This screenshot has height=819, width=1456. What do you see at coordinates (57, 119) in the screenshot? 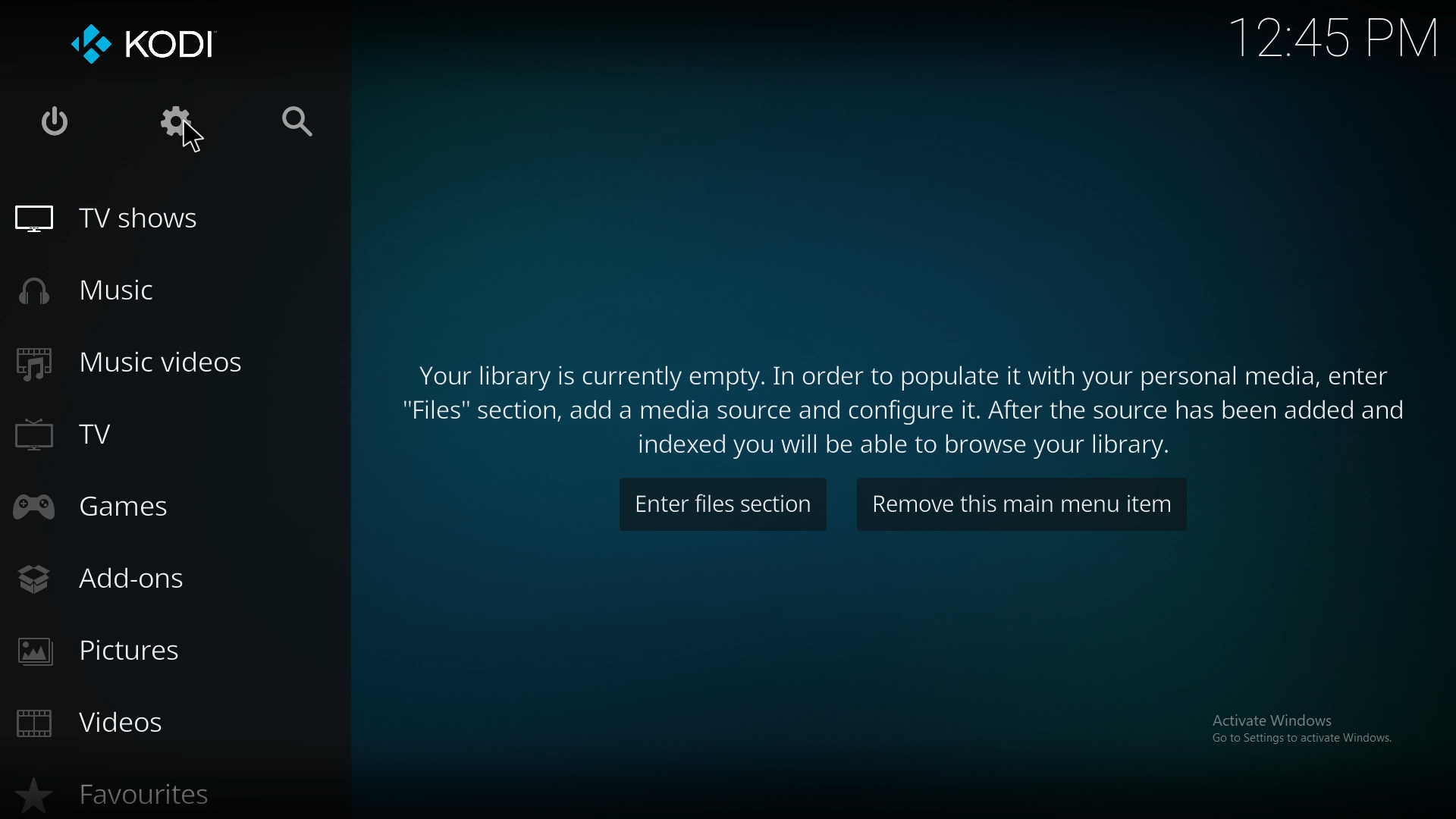
I see `close` at bounding box center [57, 119].